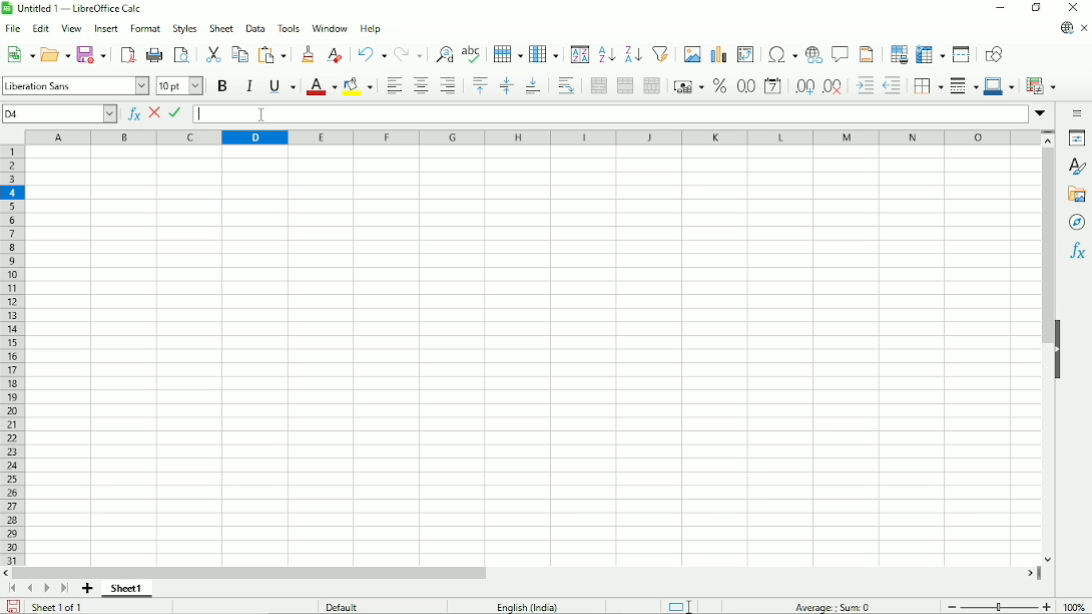 Image resolution: width=1092 pixels, height=614 pixels. I want to click on Edit, so click(40, 29).